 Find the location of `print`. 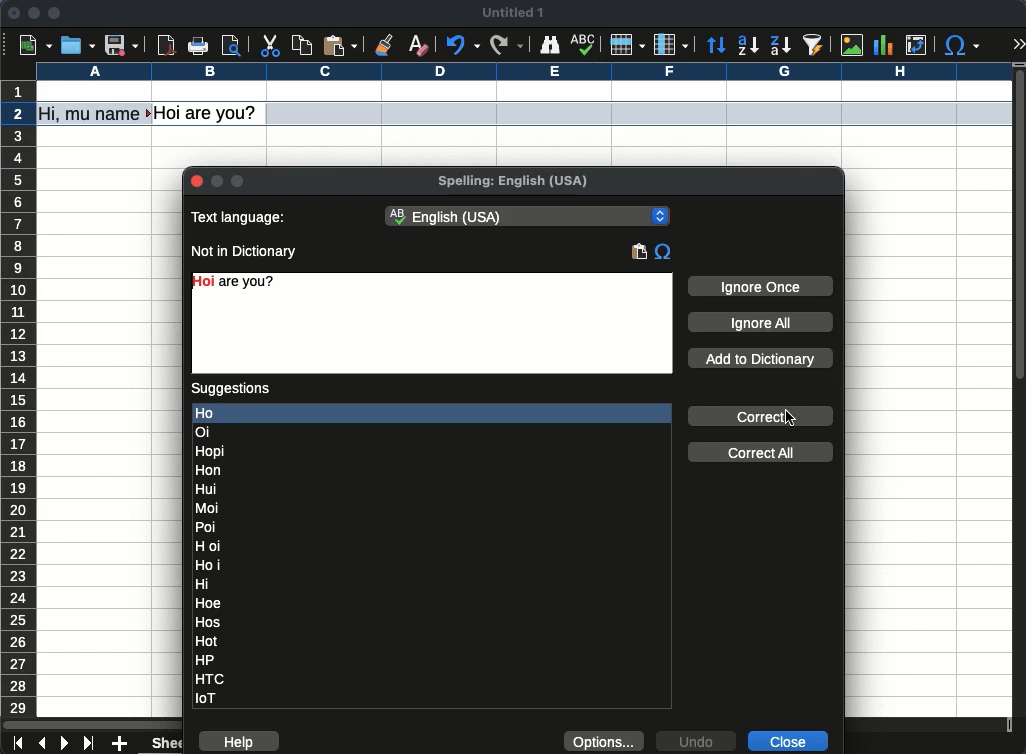

print is located at coordinates (199, 45).